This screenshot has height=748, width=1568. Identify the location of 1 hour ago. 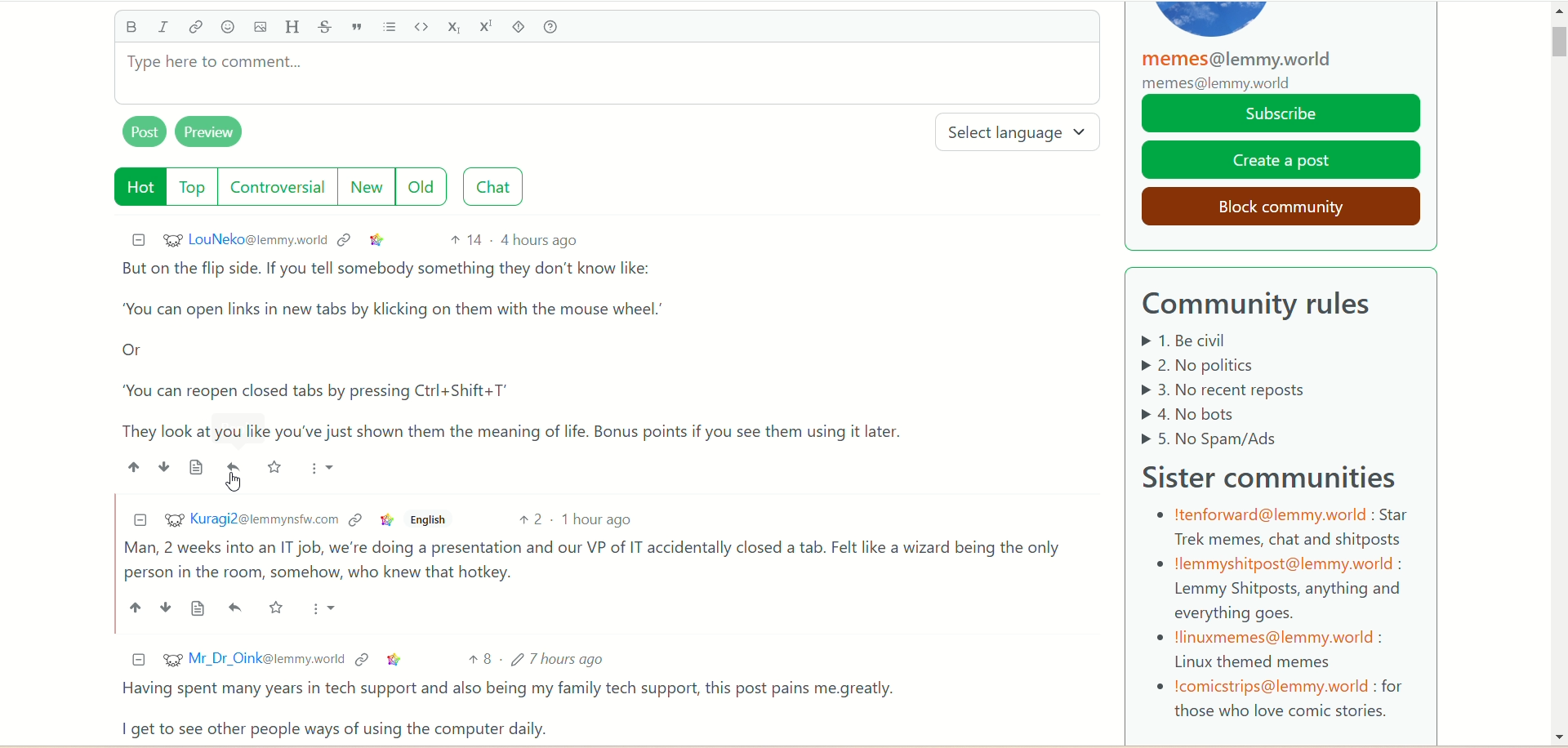
(599, 521).